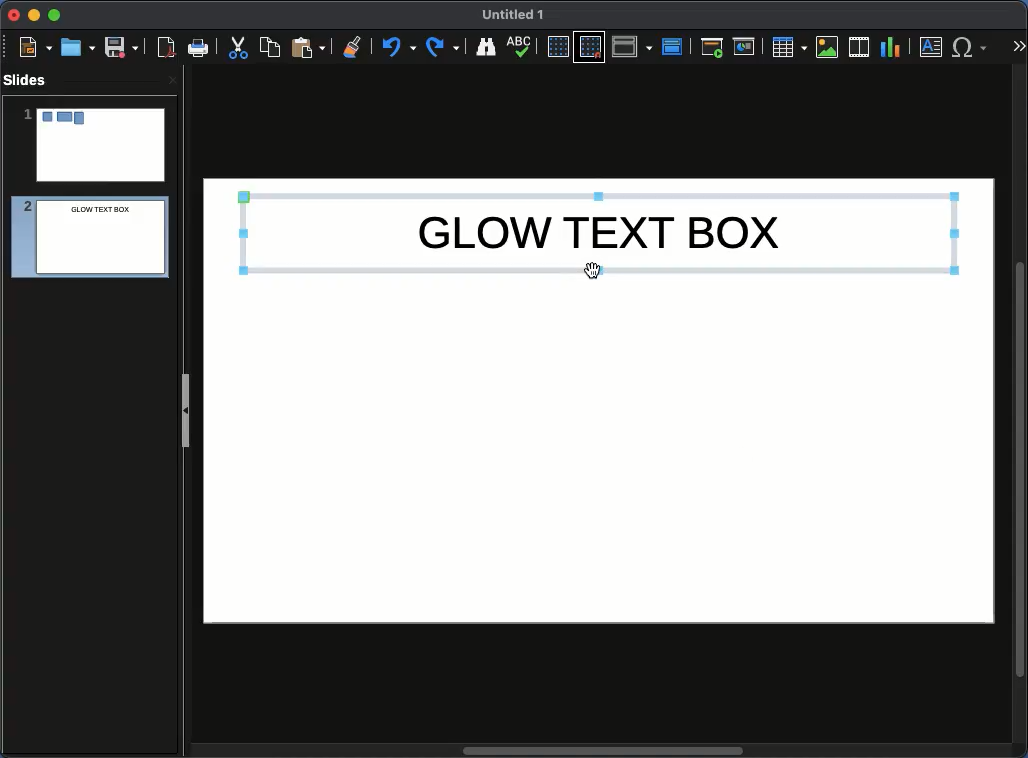 Image resolution: width=1028 pixels, height=758 pixels. I want to click on Display grid, so click(557, 48).